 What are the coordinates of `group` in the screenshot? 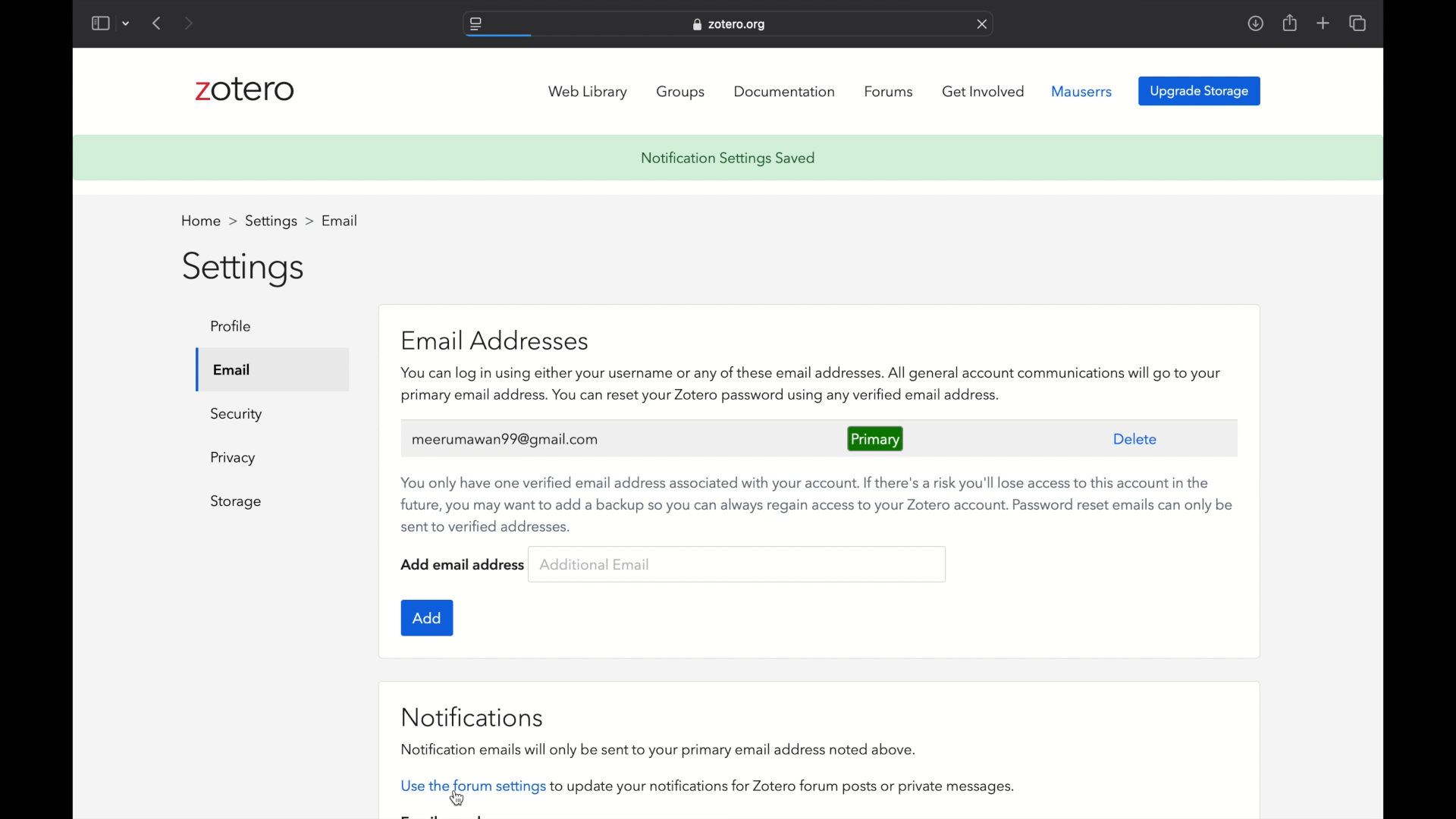 It's located at (682, 92).